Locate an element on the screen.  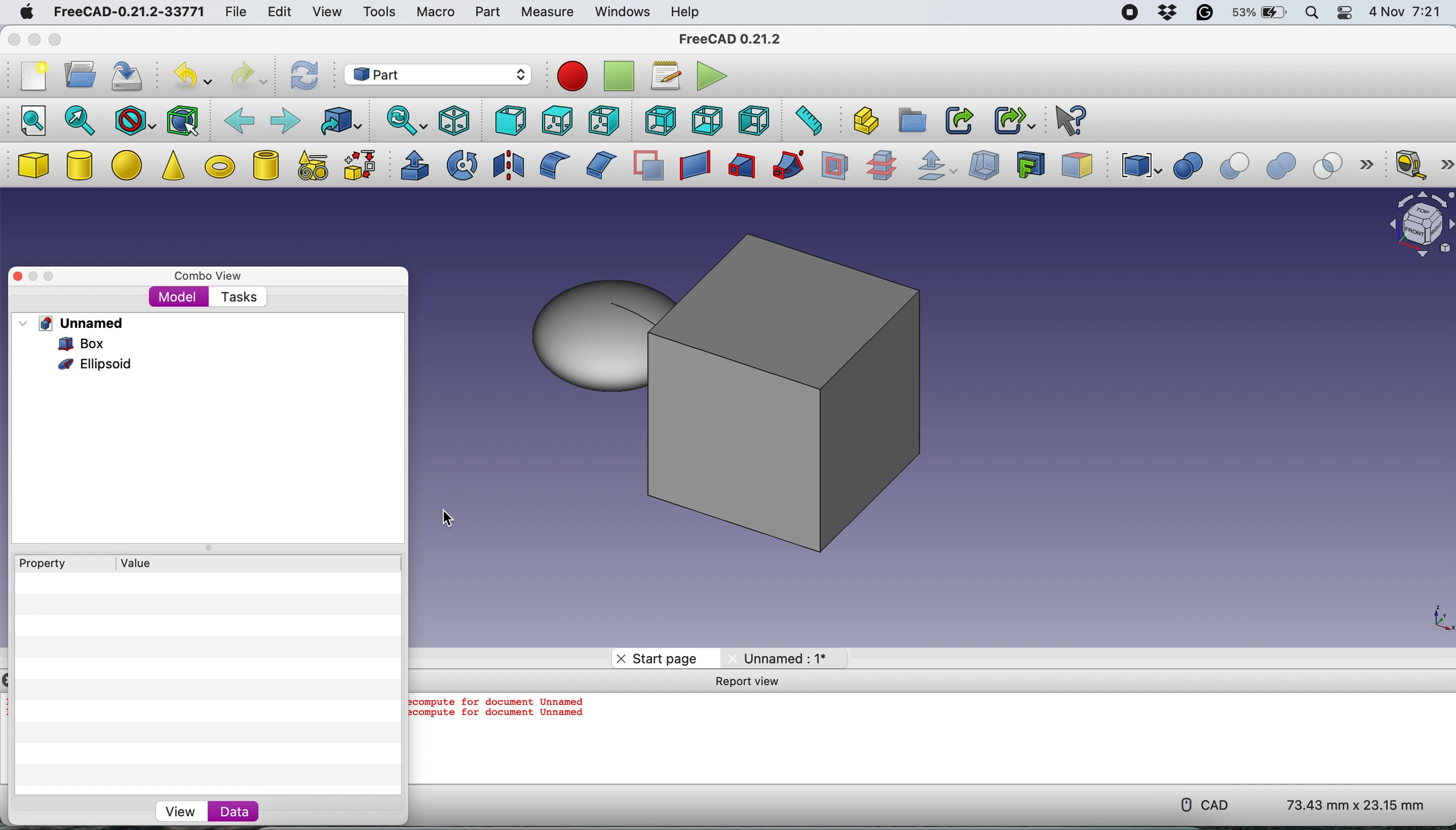
redo is located at coordinates (248, 76).